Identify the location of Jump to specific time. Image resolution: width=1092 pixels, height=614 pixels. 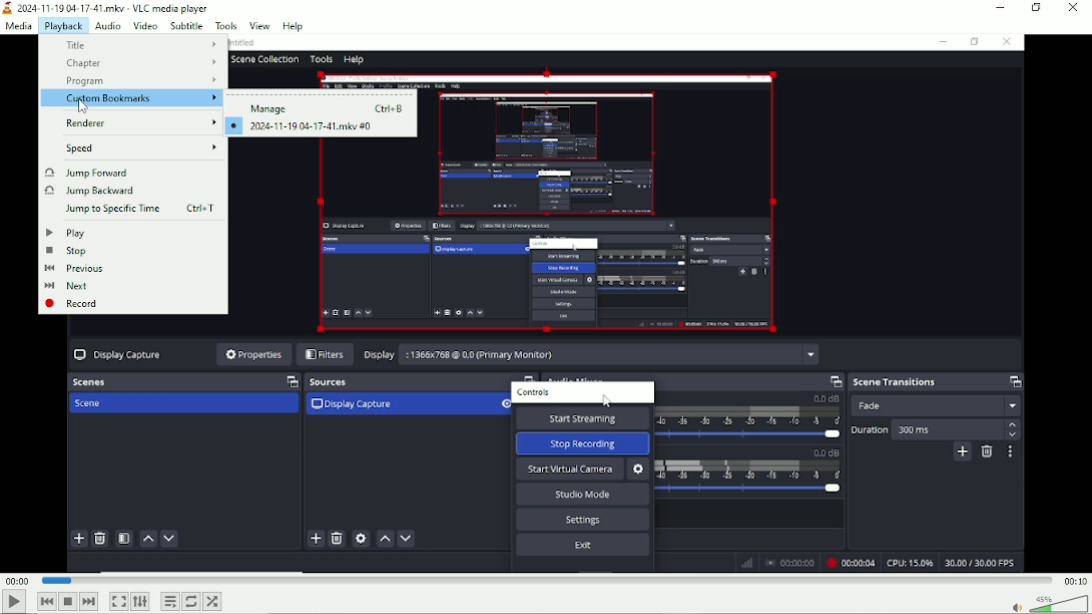
(137, 209).